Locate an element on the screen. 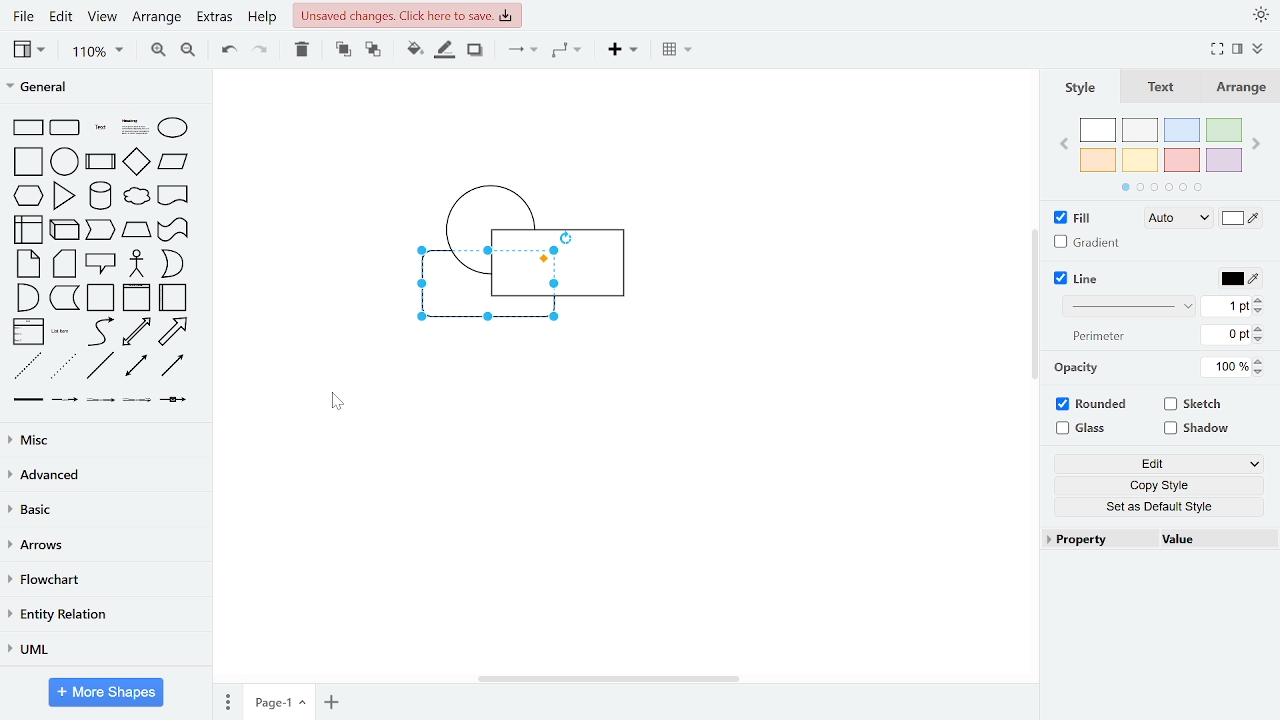  green is located at coordinates (1226, 130).